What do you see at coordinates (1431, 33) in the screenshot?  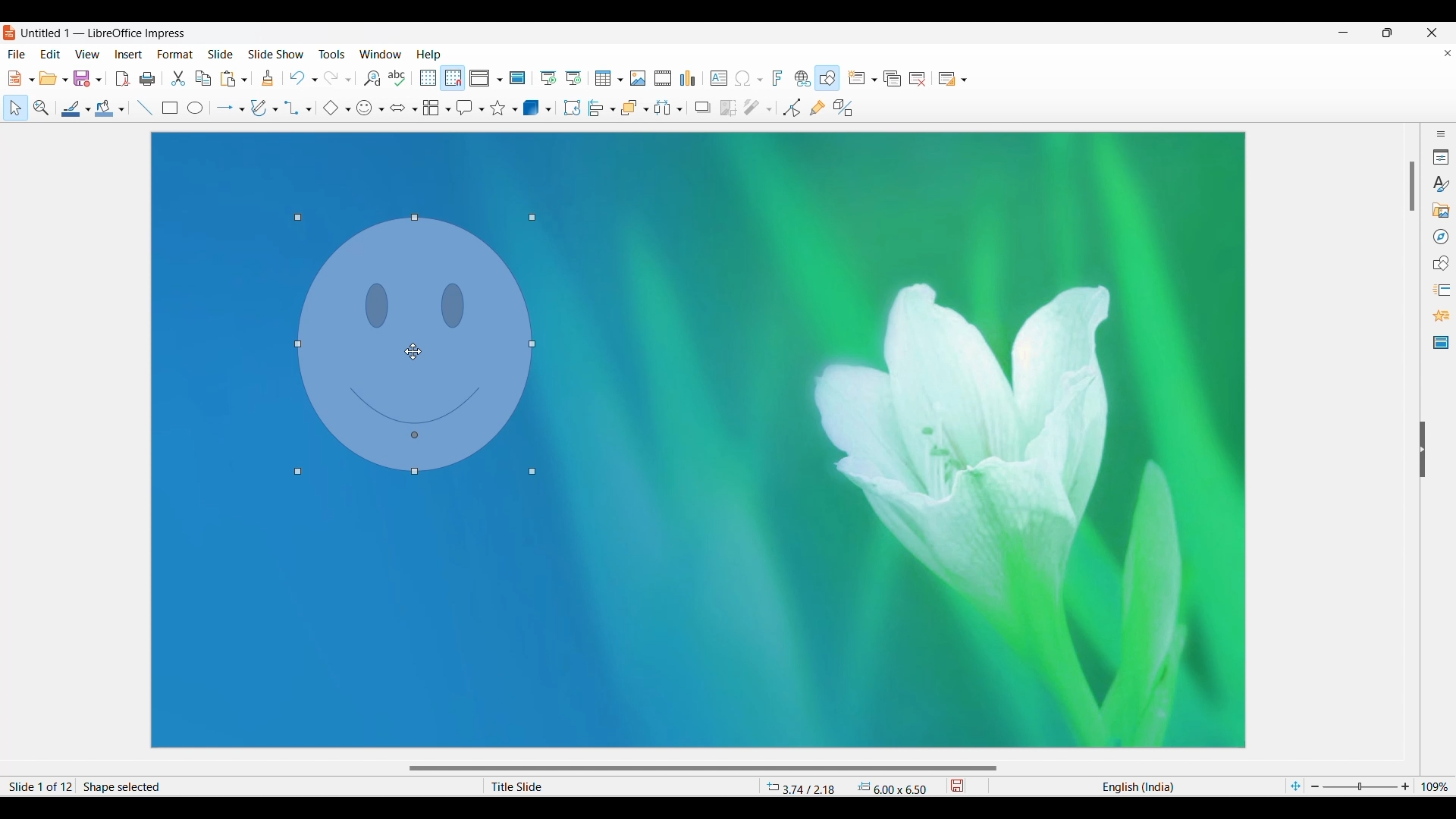 I see `Close interface` at bounding box center [1431, 33].